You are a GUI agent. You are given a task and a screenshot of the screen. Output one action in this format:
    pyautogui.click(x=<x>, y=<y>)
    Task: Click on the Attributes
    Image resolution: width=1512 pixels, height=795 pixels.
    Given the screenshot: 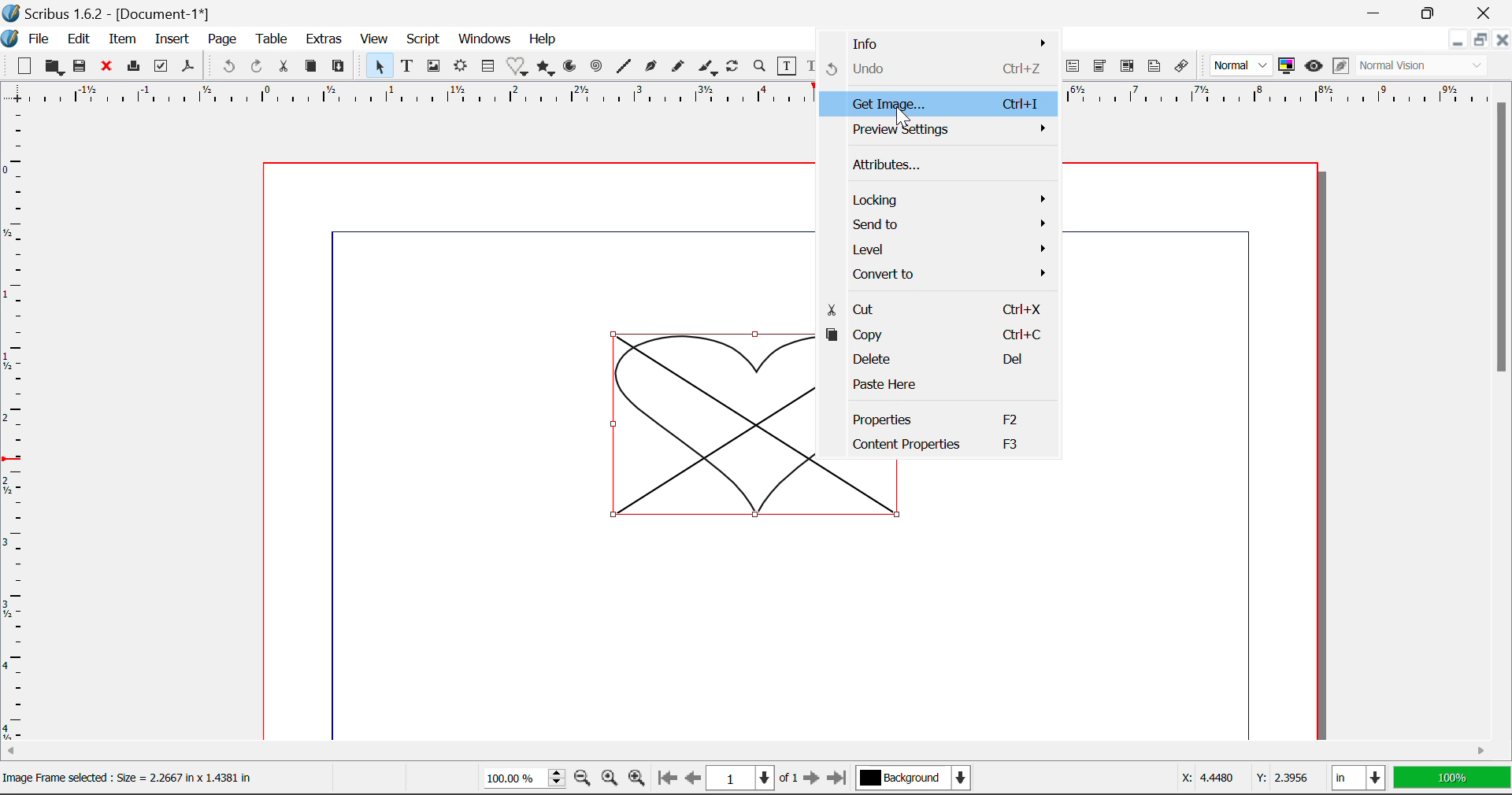 What is the action you would take?
    pyautogui.click(x=945, y=167)
    